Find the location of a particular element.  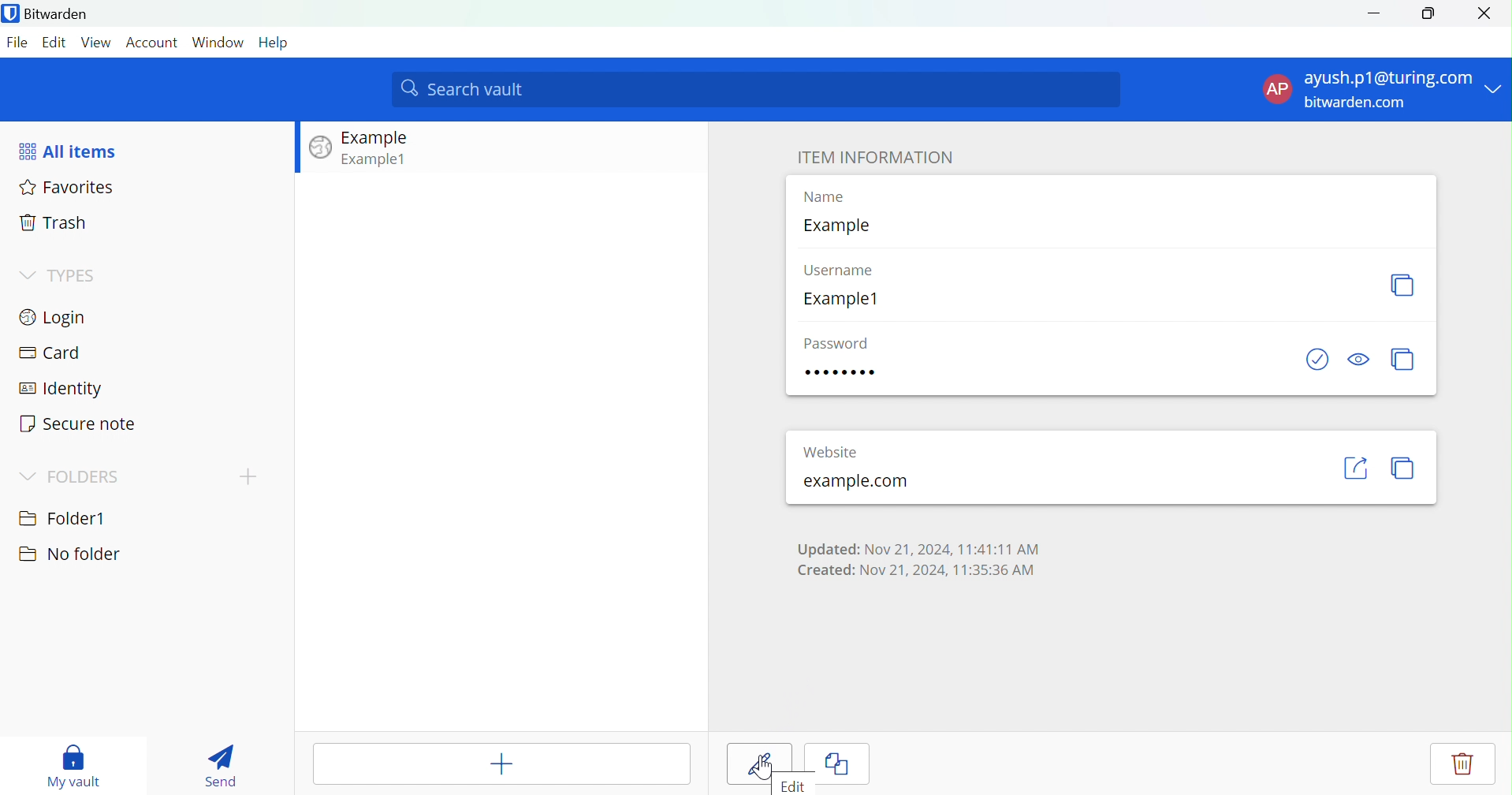

Drop Down is located at coordinates (27, 476).